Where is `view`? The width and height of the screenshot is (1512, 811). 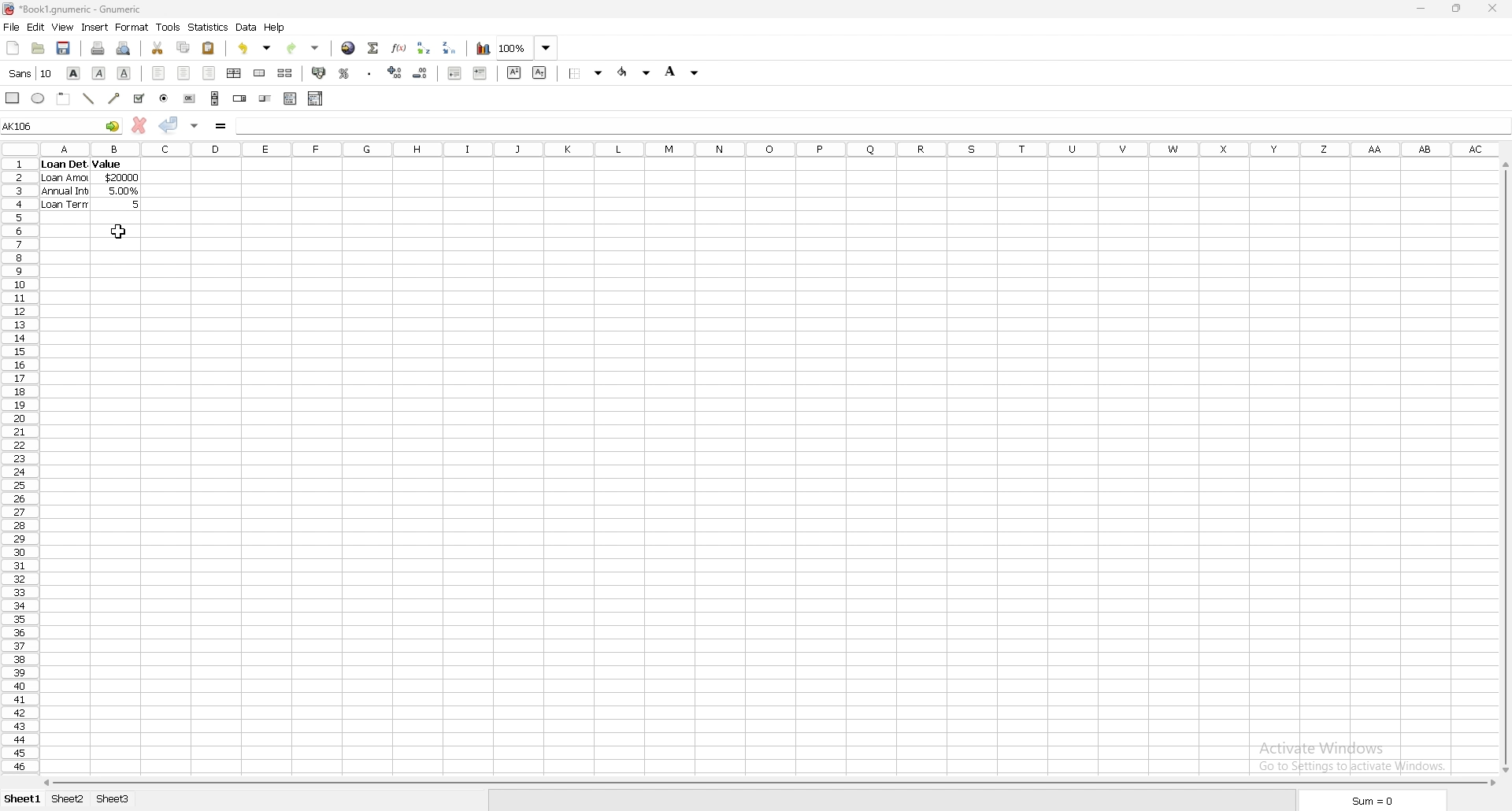
view is located at coordinates (64, 27).